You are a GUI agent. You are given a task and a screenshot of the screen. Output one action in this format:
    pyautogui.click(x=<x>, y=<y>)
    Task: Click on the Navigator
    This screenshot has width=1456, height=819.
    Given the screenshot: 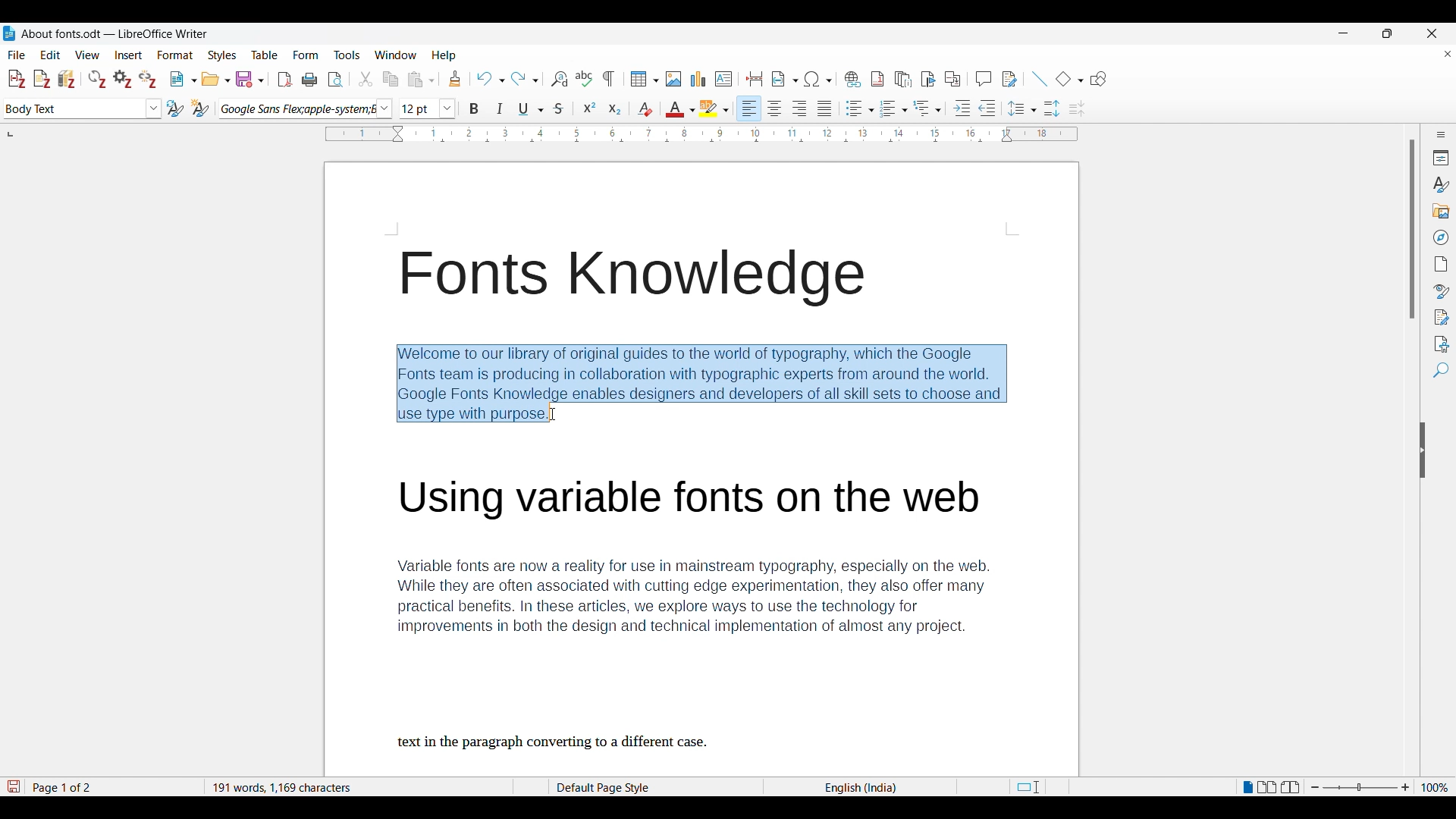 What is the action you would take?
    pyautogui.click(x=1442, y=237)
    